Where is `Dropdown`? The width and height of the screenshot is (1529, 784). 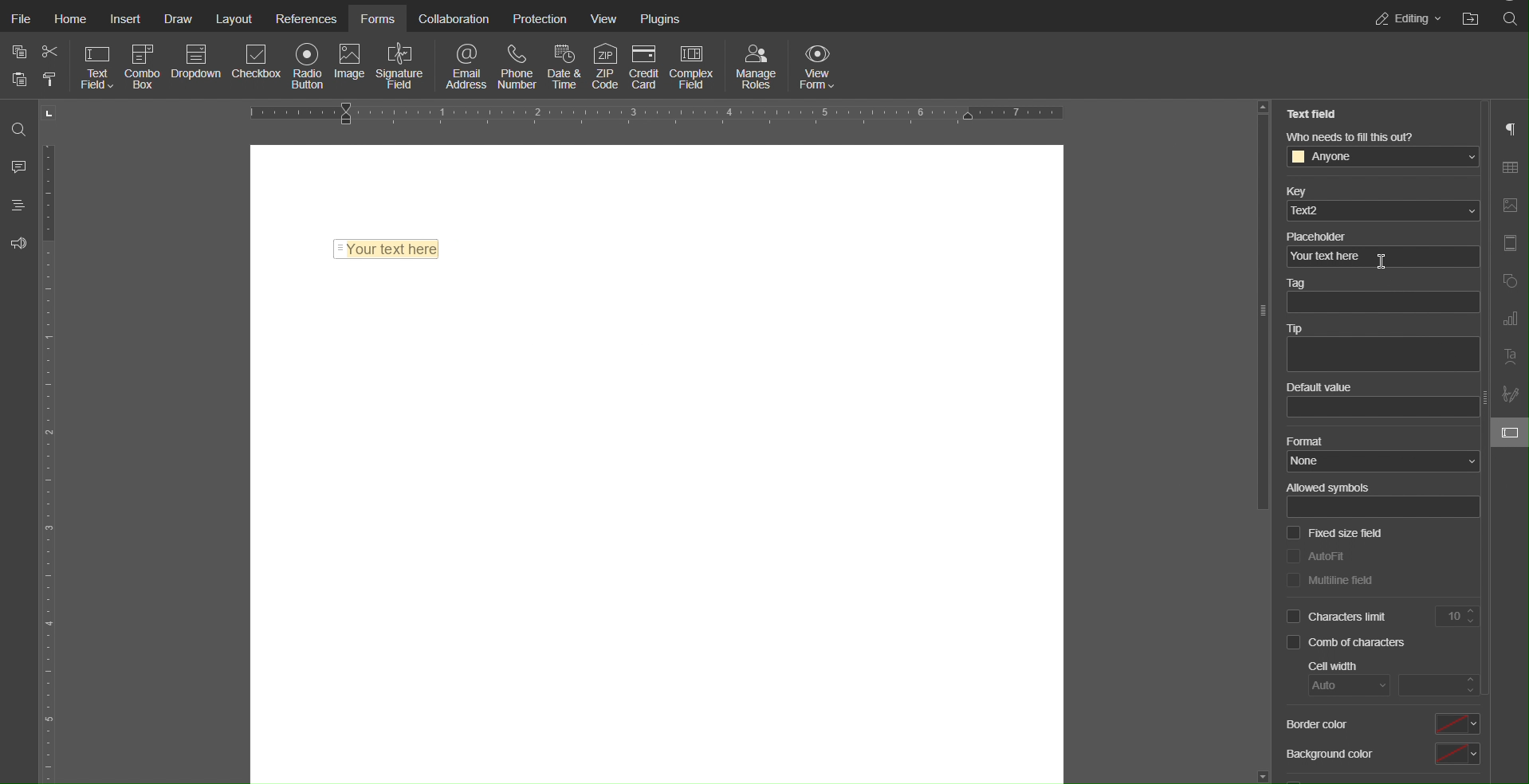
Dropdown is located at coordinates (198, 67).